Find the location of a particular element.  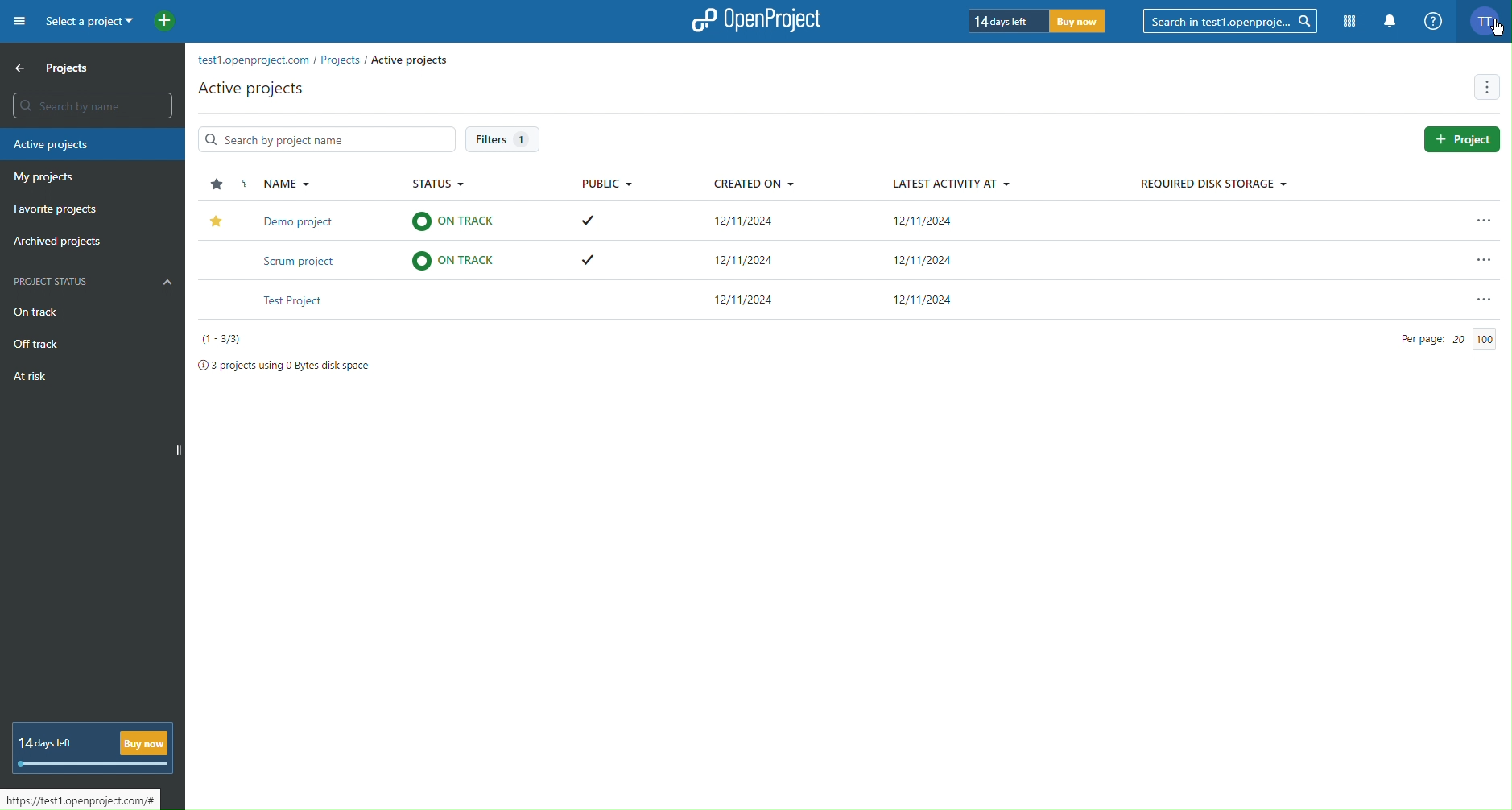

Project is located at coordinates (1460, 139).